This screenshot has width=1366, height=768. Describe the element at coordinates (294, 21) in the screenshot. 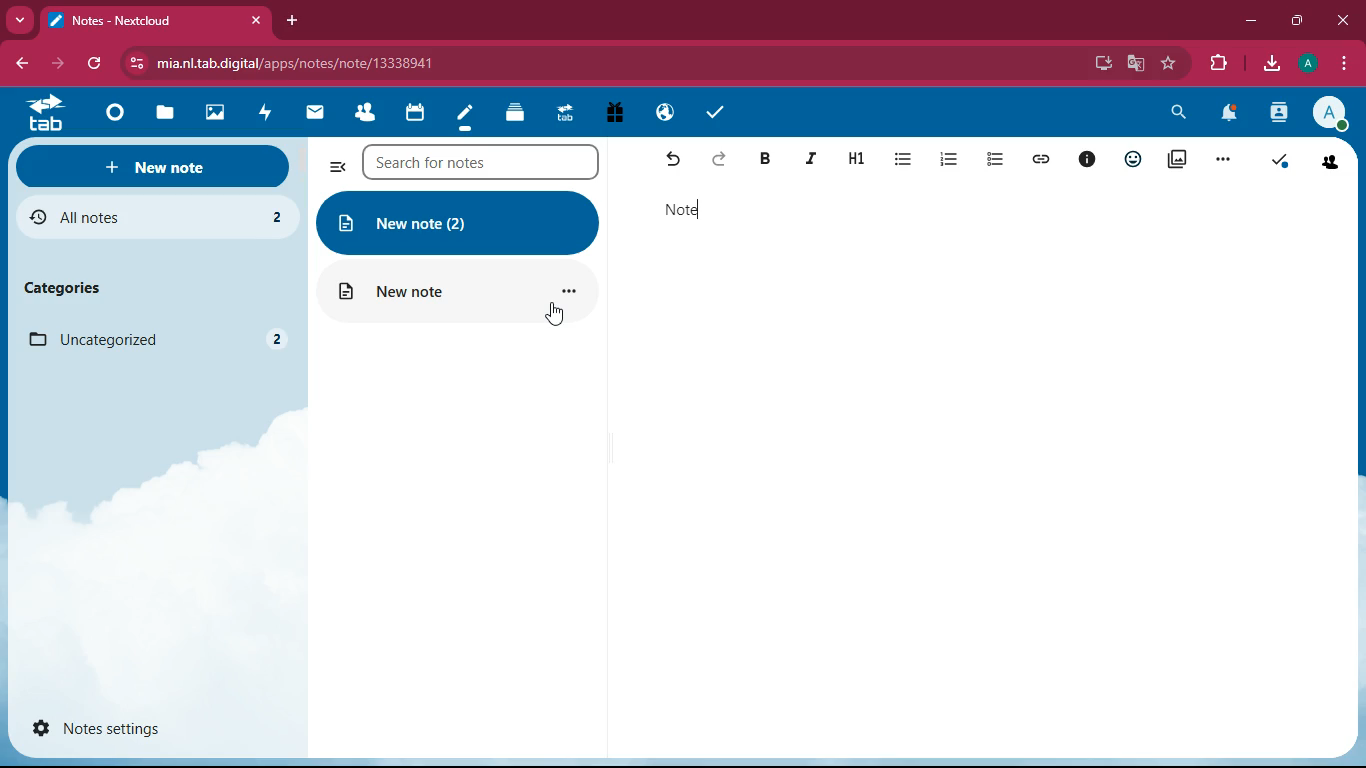

I see `new tab` at that location.